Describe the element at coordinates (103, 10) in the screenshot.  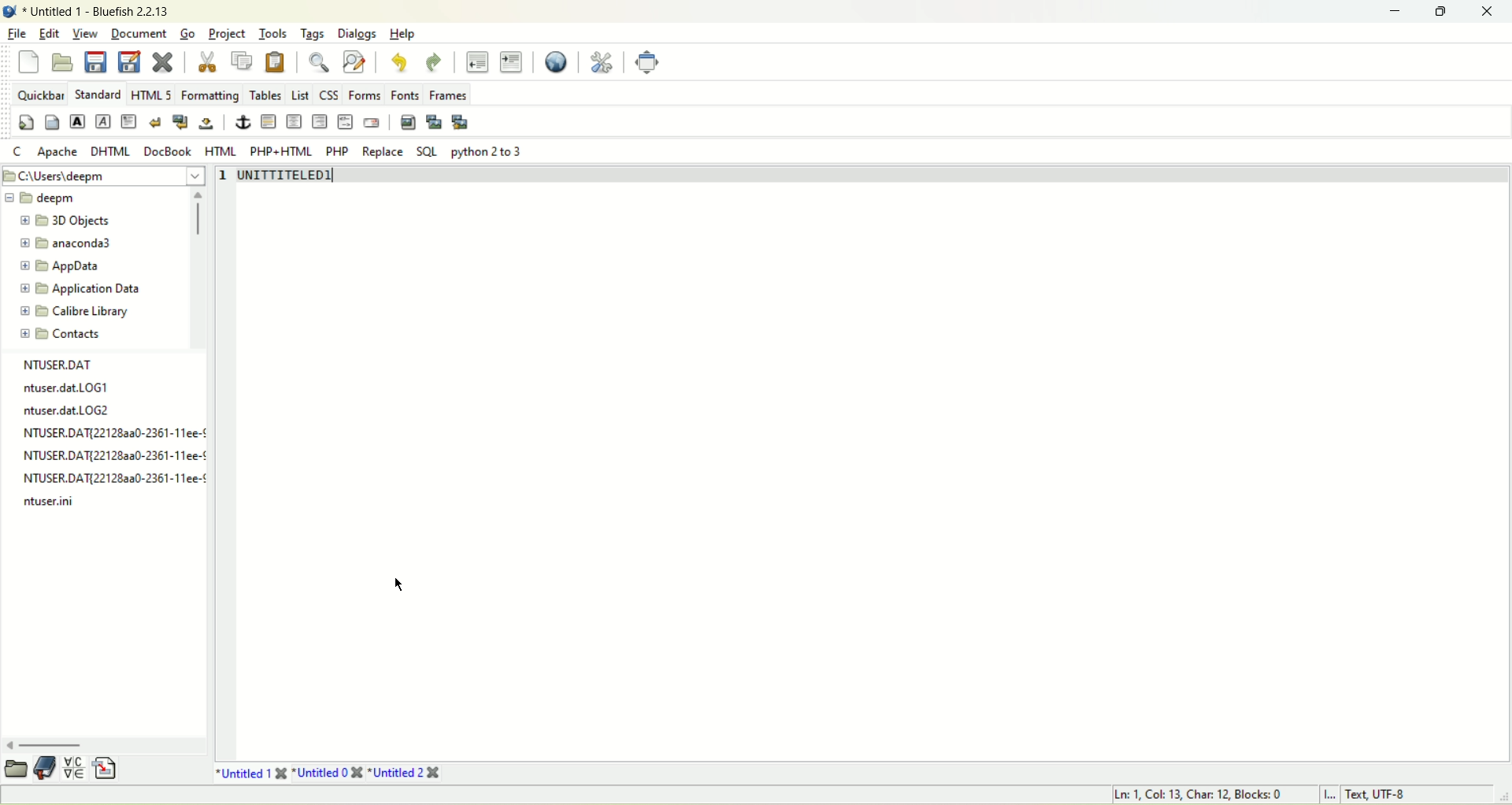
I see `* untitled 1 - Bluefish 2.2.13` at that location.